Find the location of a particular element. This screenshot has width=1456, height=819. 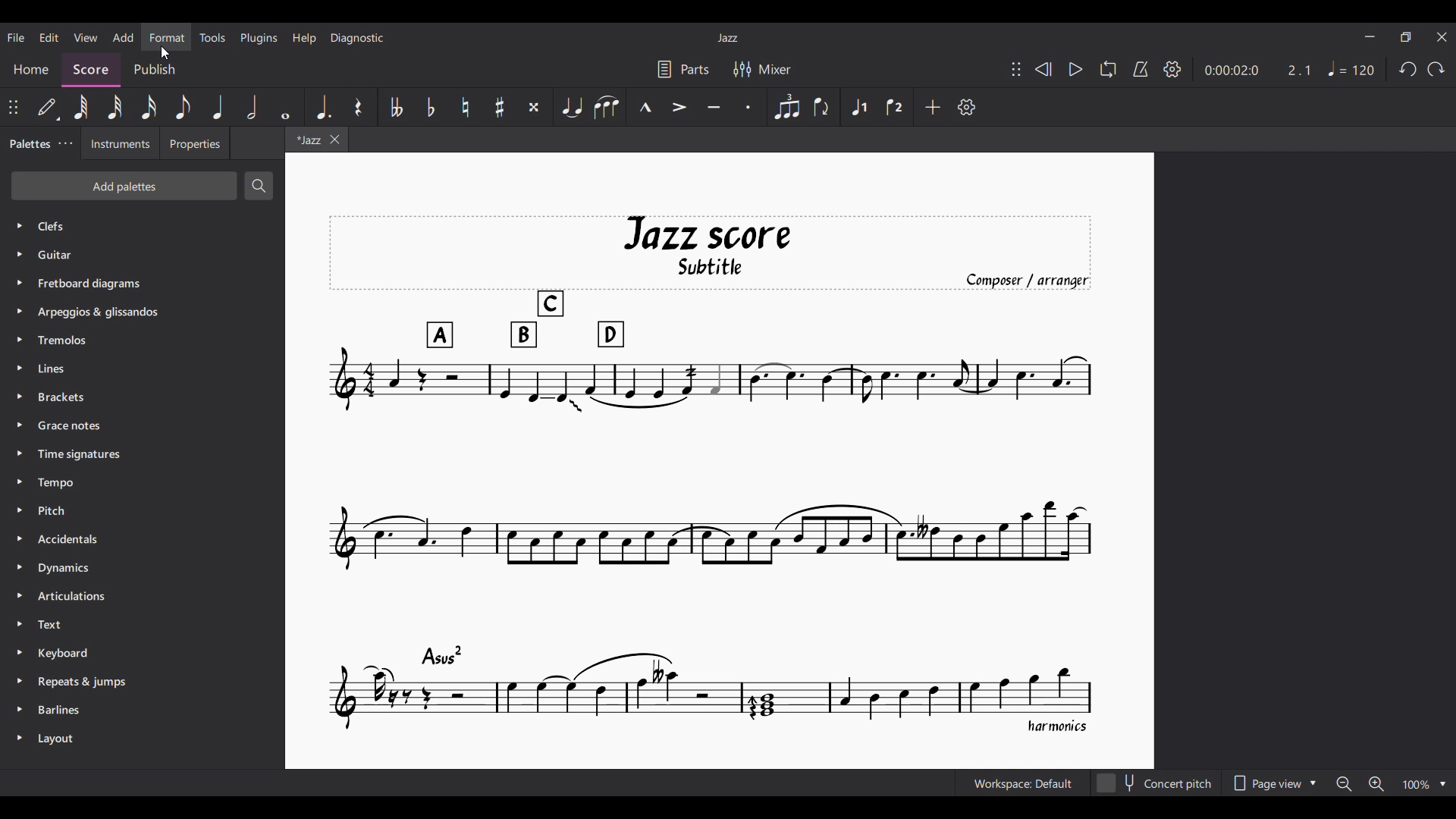

Keyboard is located at coordinates (72, 653).